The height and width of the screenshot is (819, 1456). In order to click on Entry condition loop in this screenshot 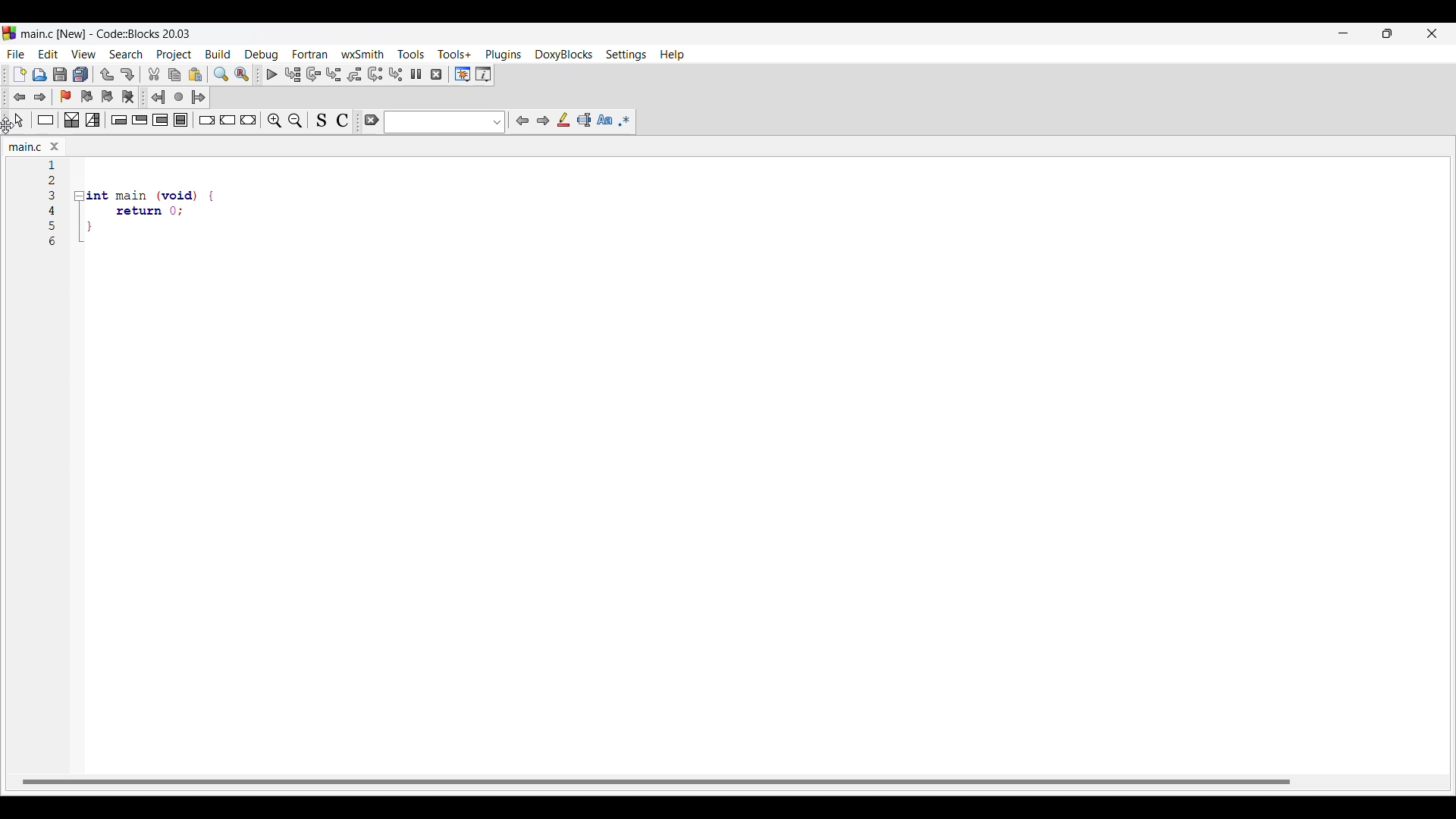, I will do `click(119, 119)`.